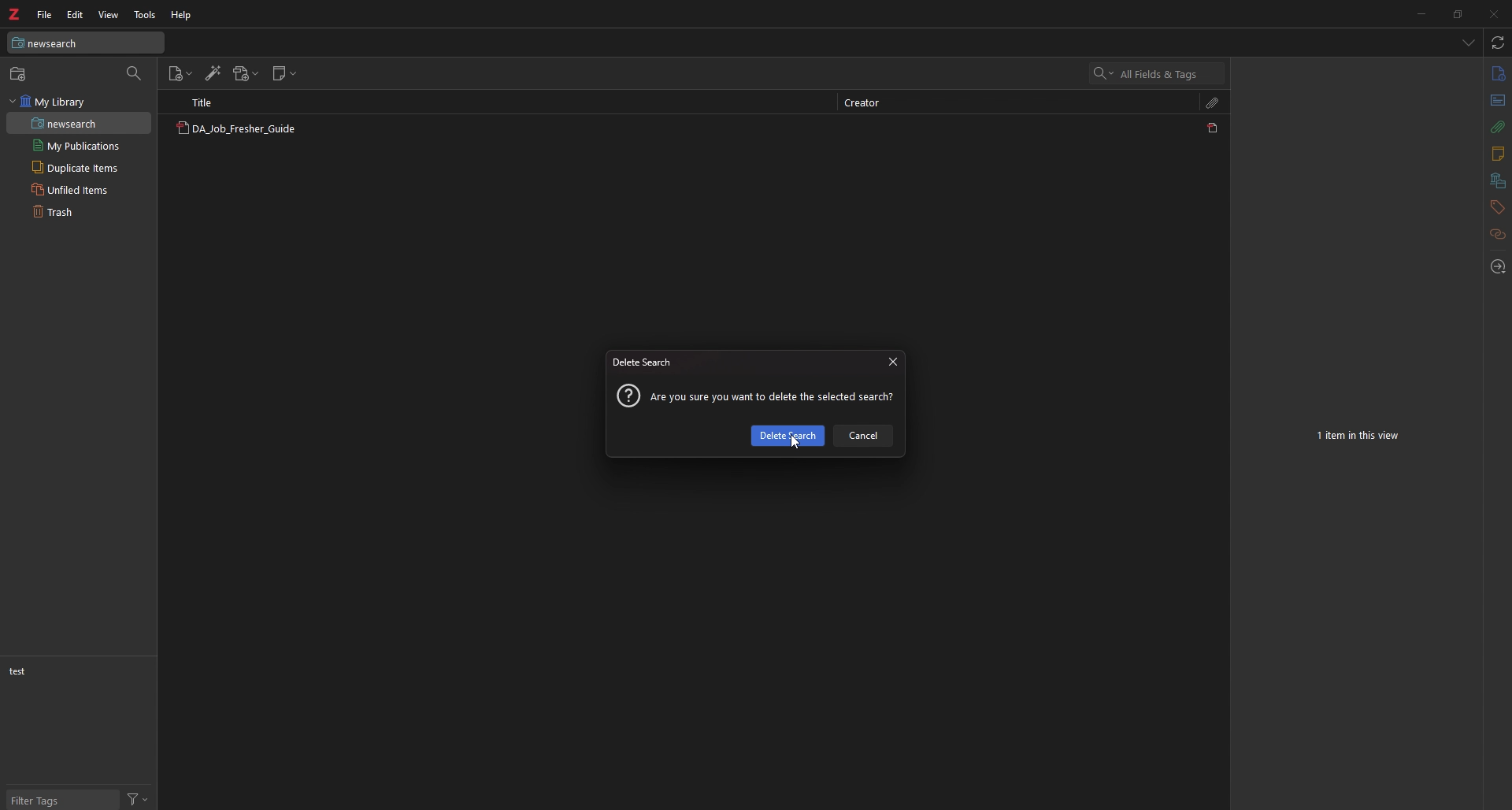 Image resolution: width=1512 pixels, height=810 pixels. I want to click on Attachments, so click(1495, 129).